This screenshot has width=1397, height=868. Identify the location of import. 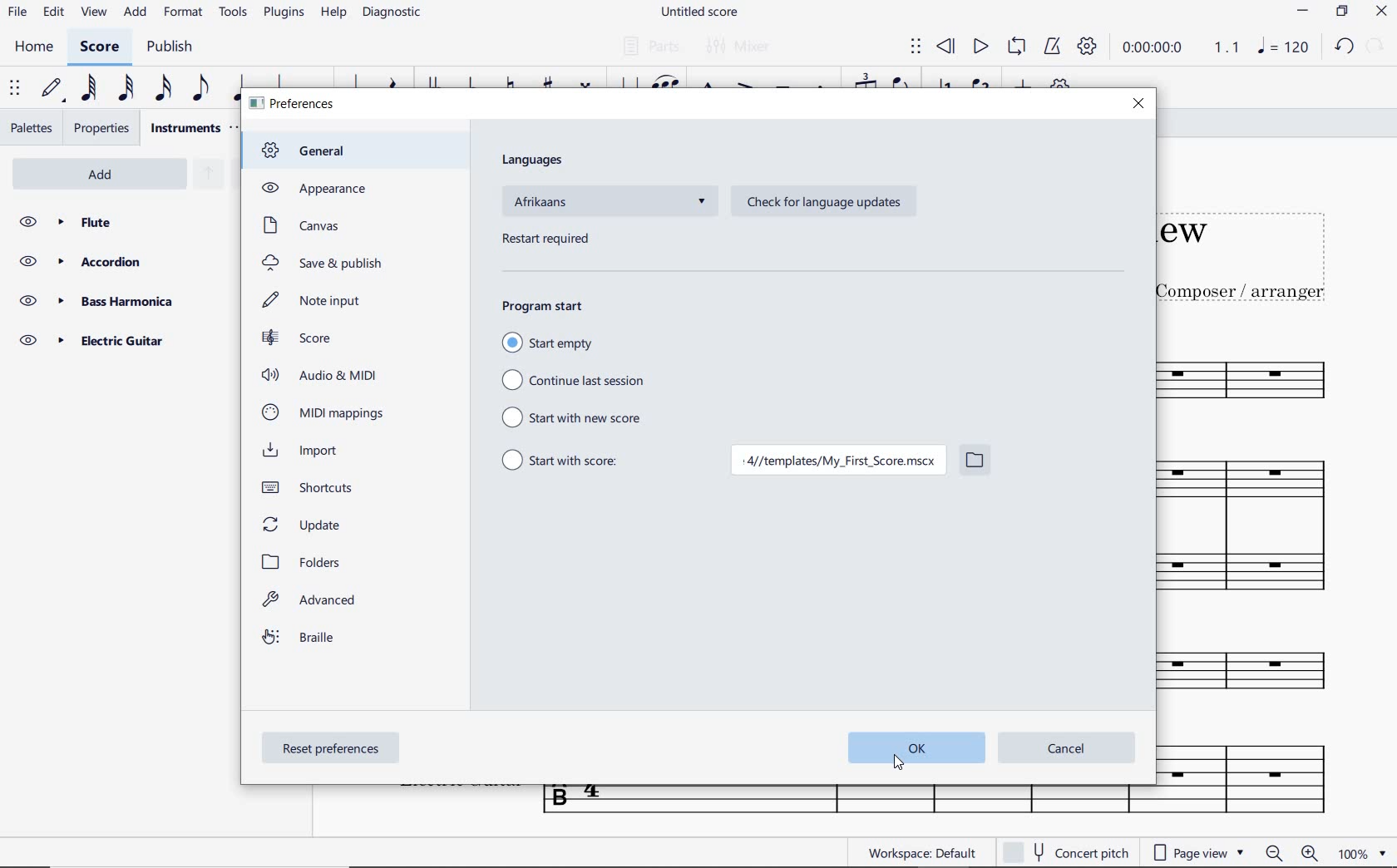
(306, 451).